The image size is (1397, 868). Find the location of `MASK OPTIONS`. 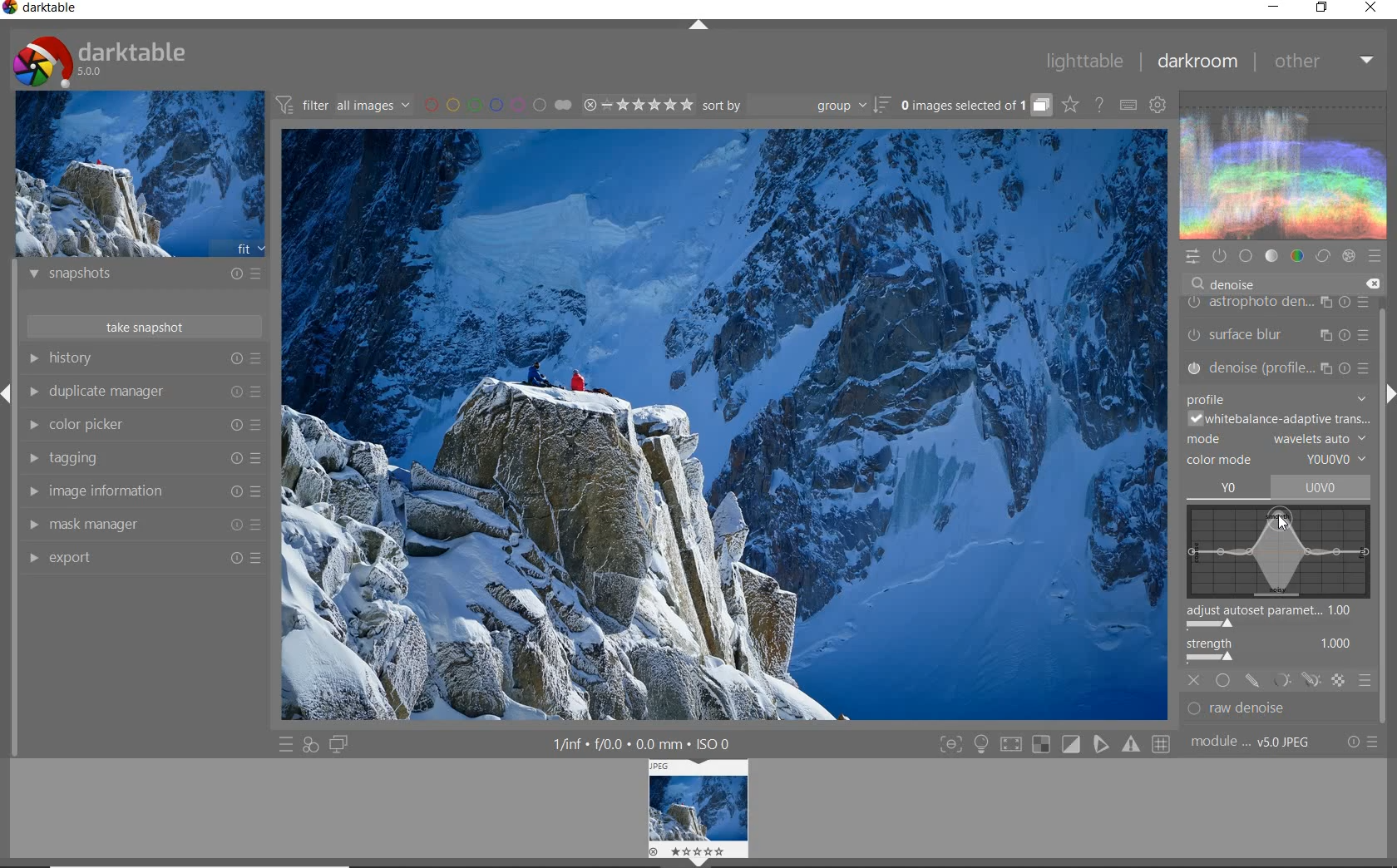

MASK OPTIONS is located at coordinates (1294, 682).